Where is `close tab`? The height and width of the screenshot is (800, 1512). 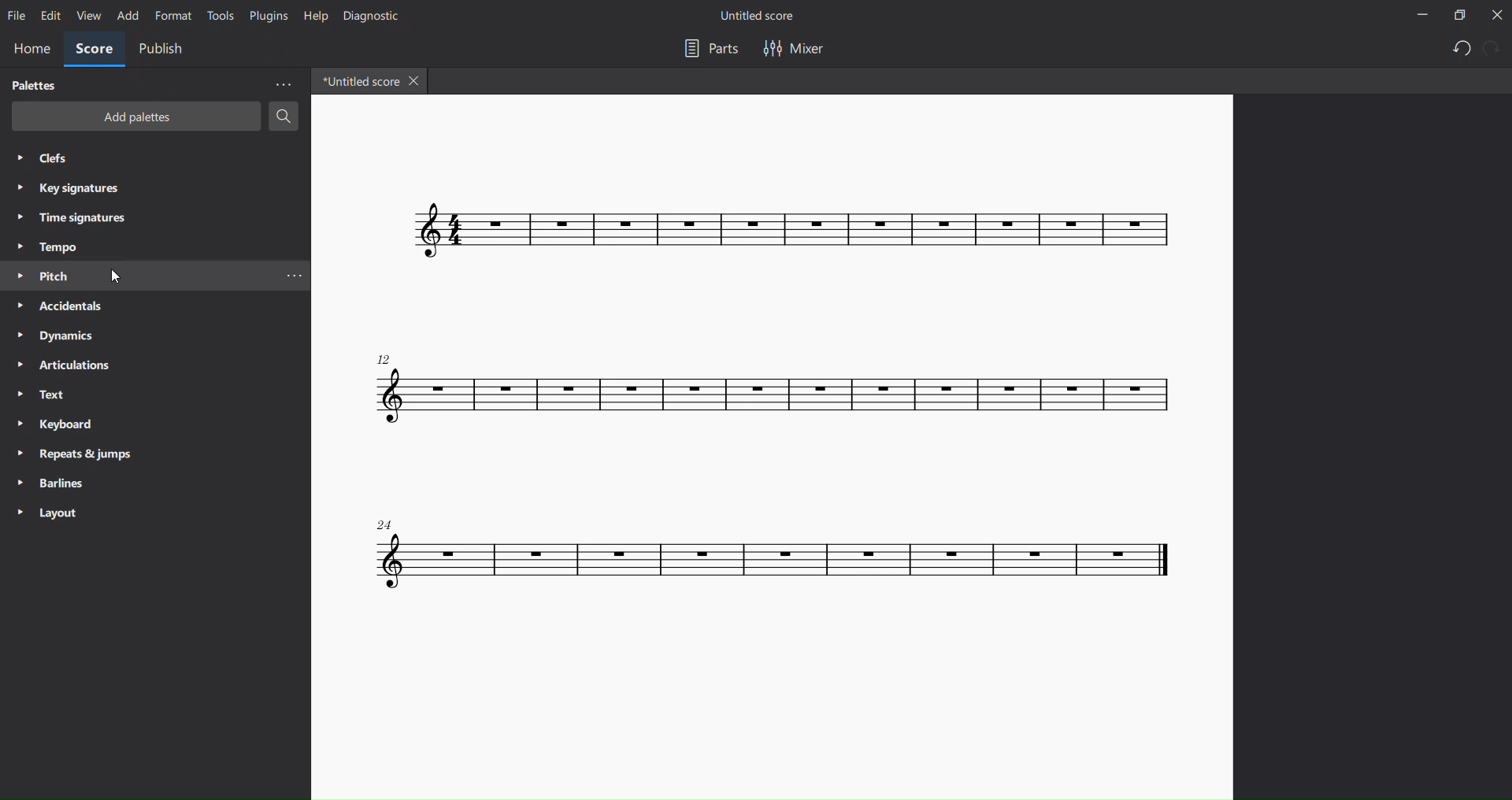
close tab is located at coordinates (417, 80).